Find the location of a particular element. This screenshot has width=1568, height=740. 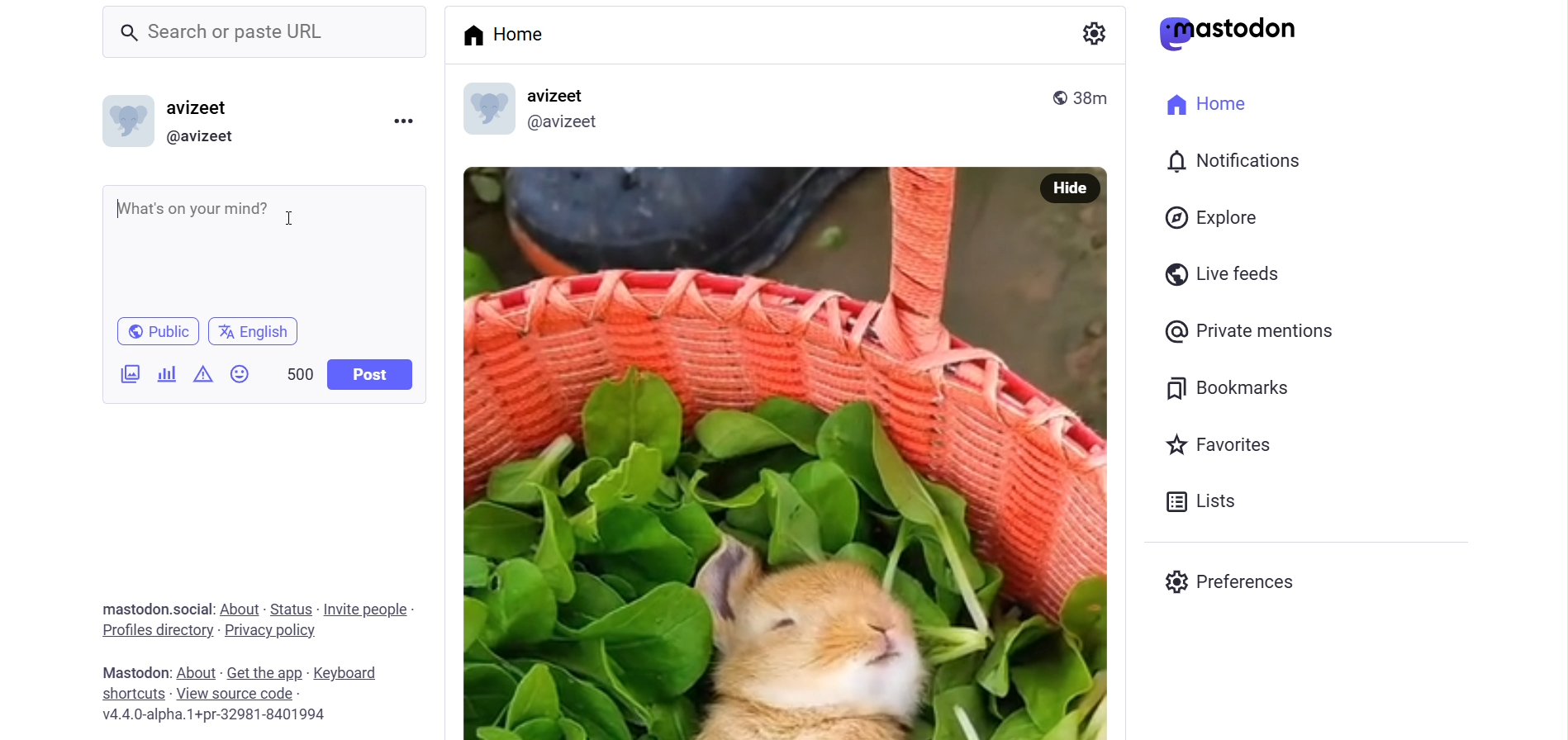

Mastodon is located at coordinates (1228, 33).